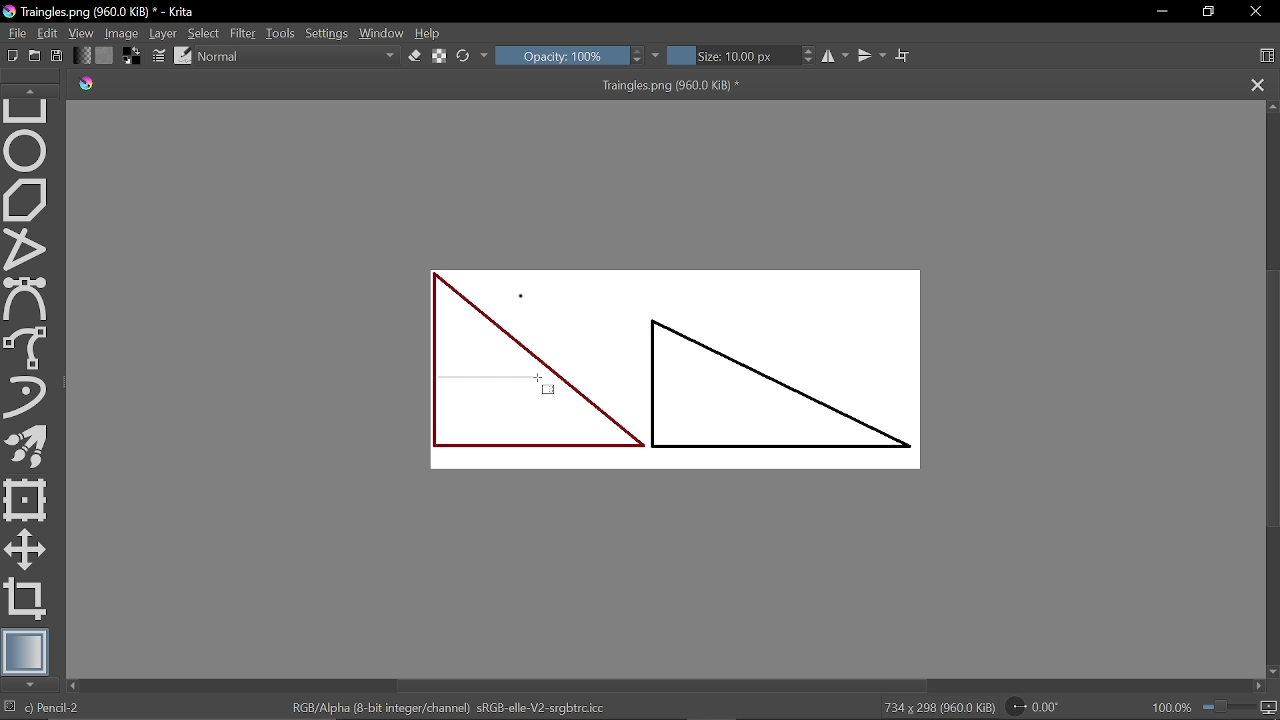 This screenshot has height=720, width=1280. Describe the element at coordinates (204, 33) in the screenshot. I see `Select` at that location.